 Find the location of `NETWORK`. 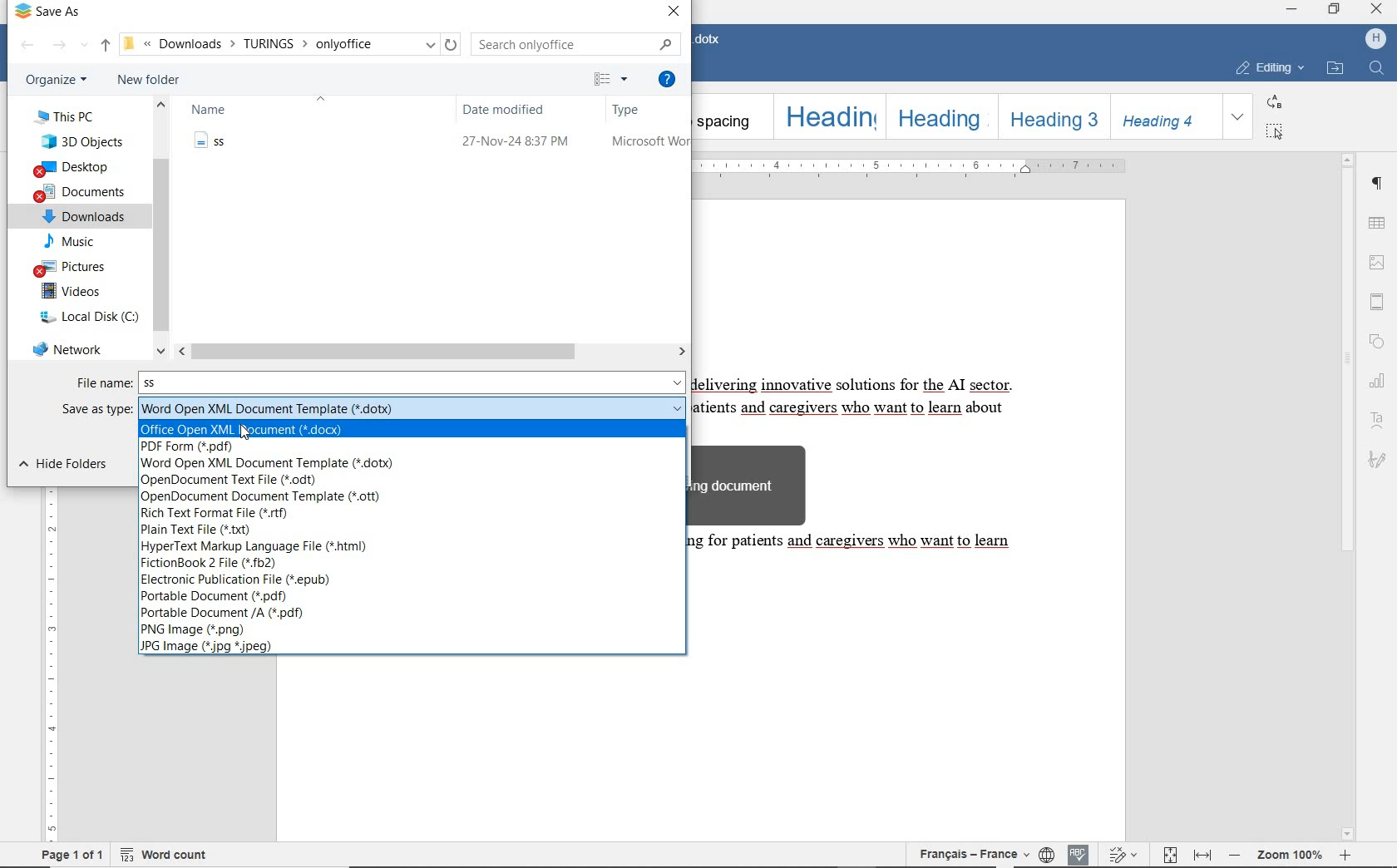

NETWORK is located at coordinates (71, 347).